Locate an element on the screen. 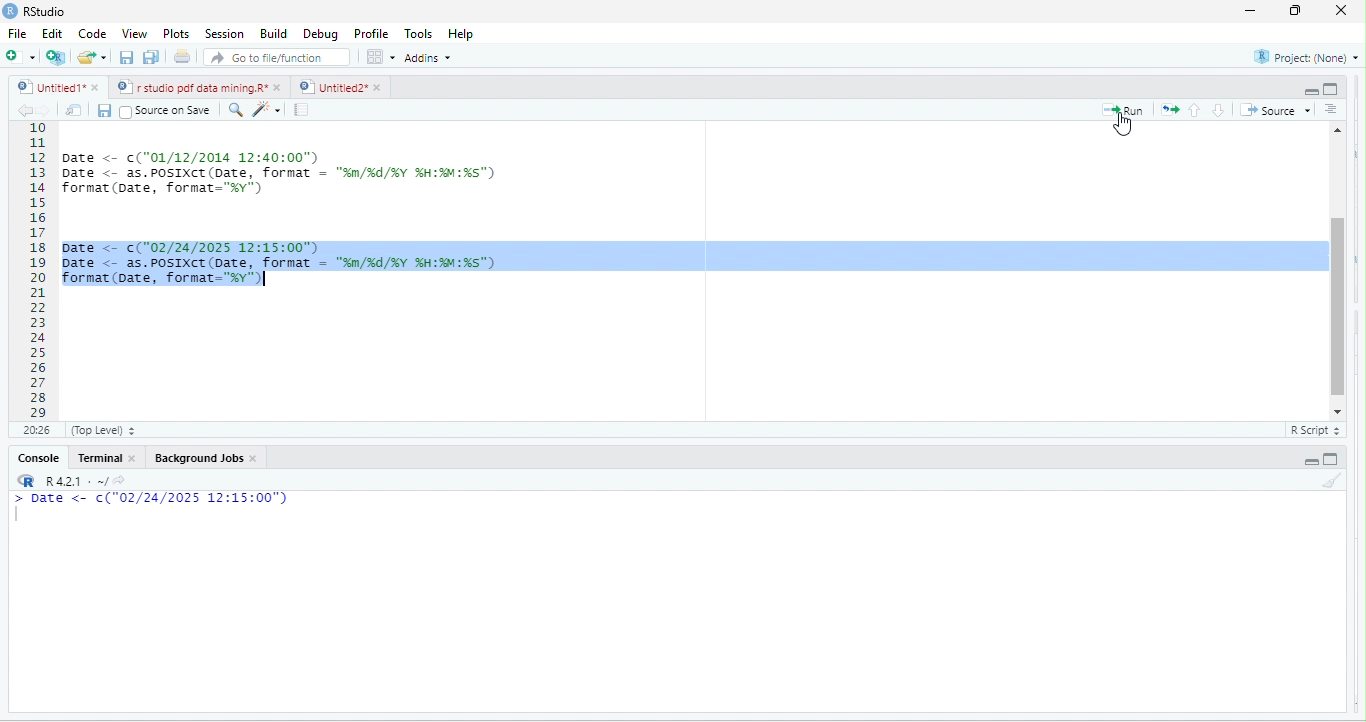  Help is located at coordinates (462, 35).